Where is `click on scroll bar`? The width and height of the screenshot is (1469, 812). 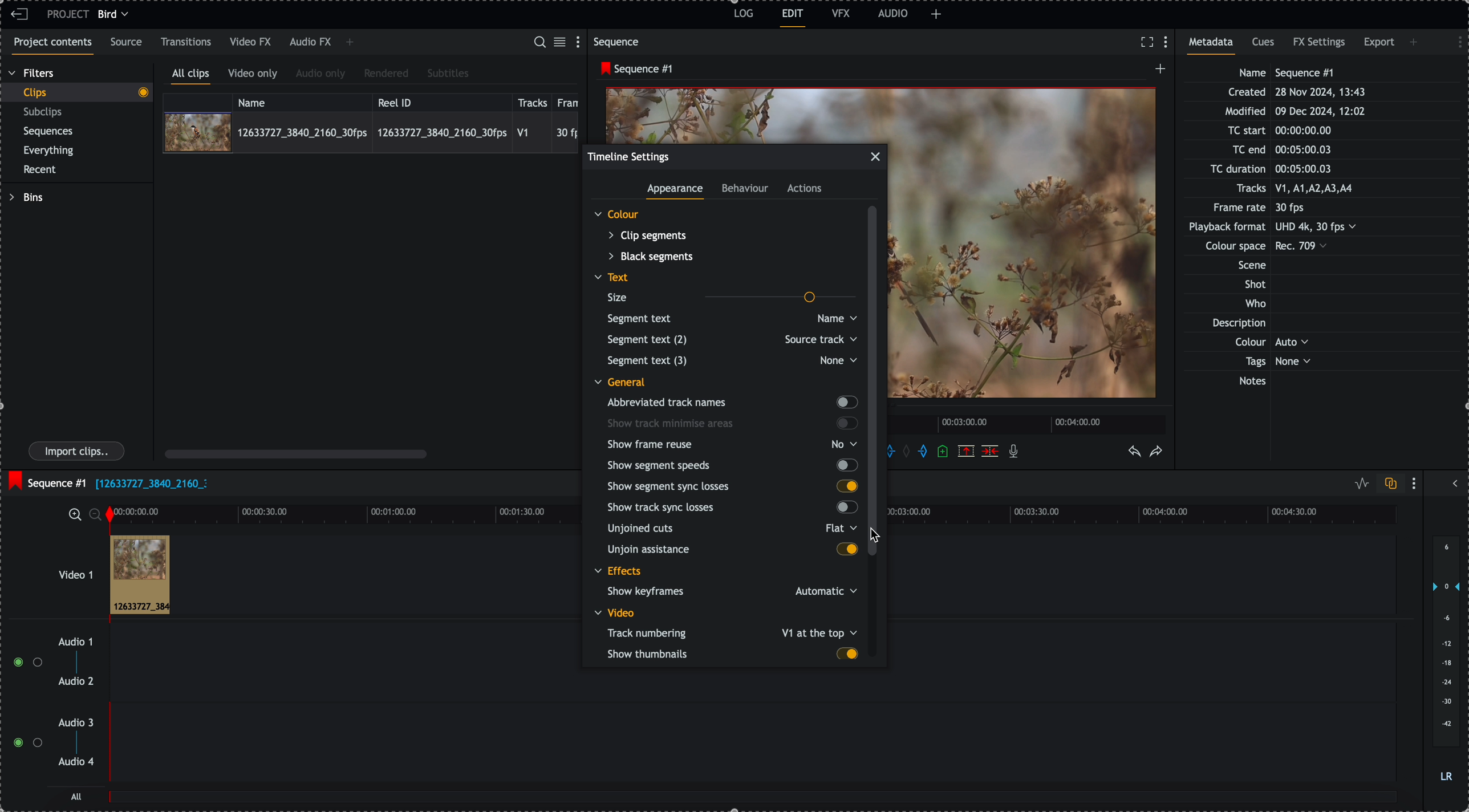 click on scroll bar is located at coordinates (876, 383).